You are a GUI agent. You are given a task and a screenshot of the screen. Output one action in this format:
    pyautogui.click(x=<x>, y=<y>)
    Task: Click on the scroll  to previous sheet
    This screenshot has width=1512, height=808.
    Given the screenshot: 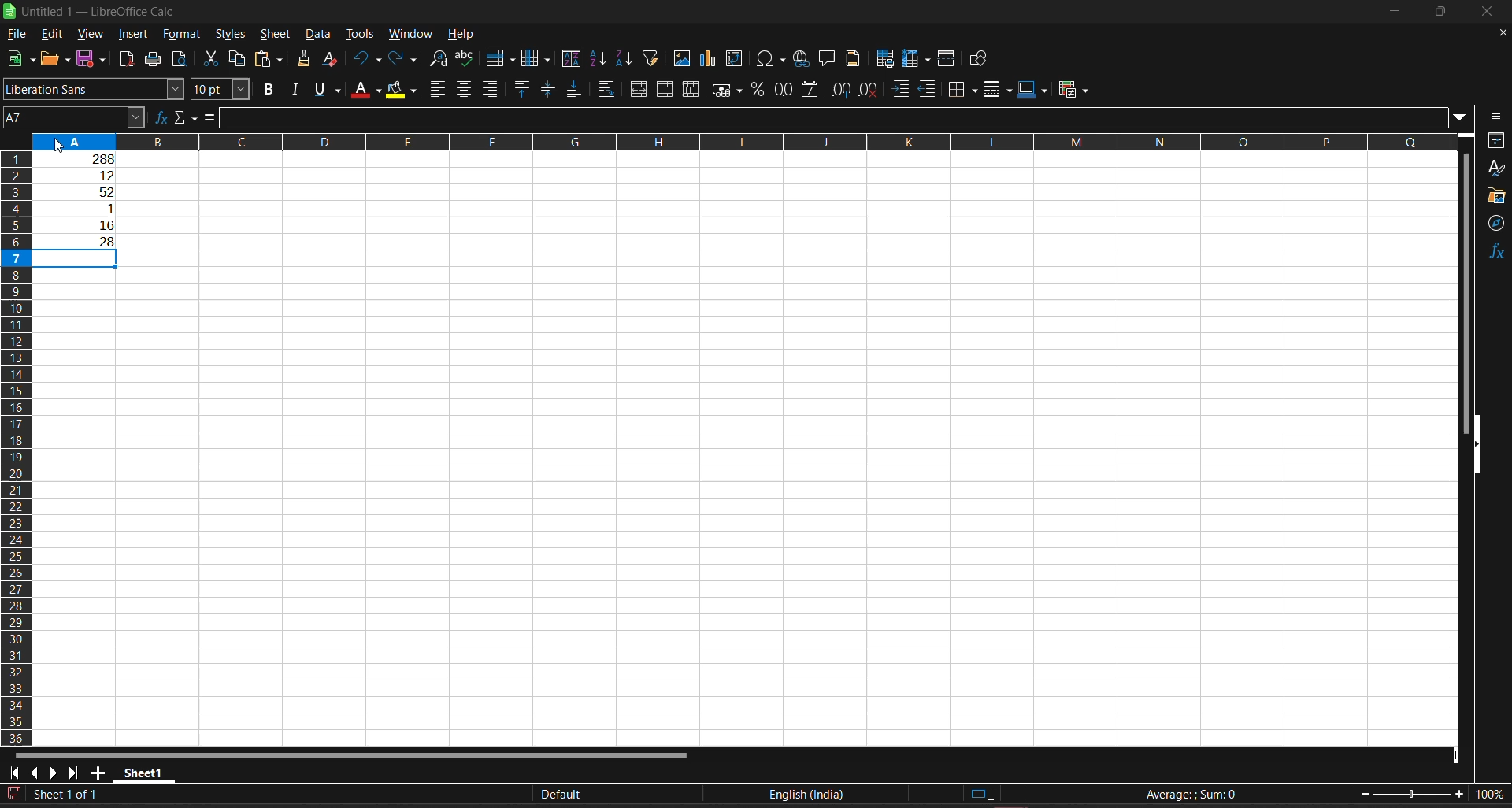 What is the action you would take?
    pyautogui.click(x=33, y=771)
    